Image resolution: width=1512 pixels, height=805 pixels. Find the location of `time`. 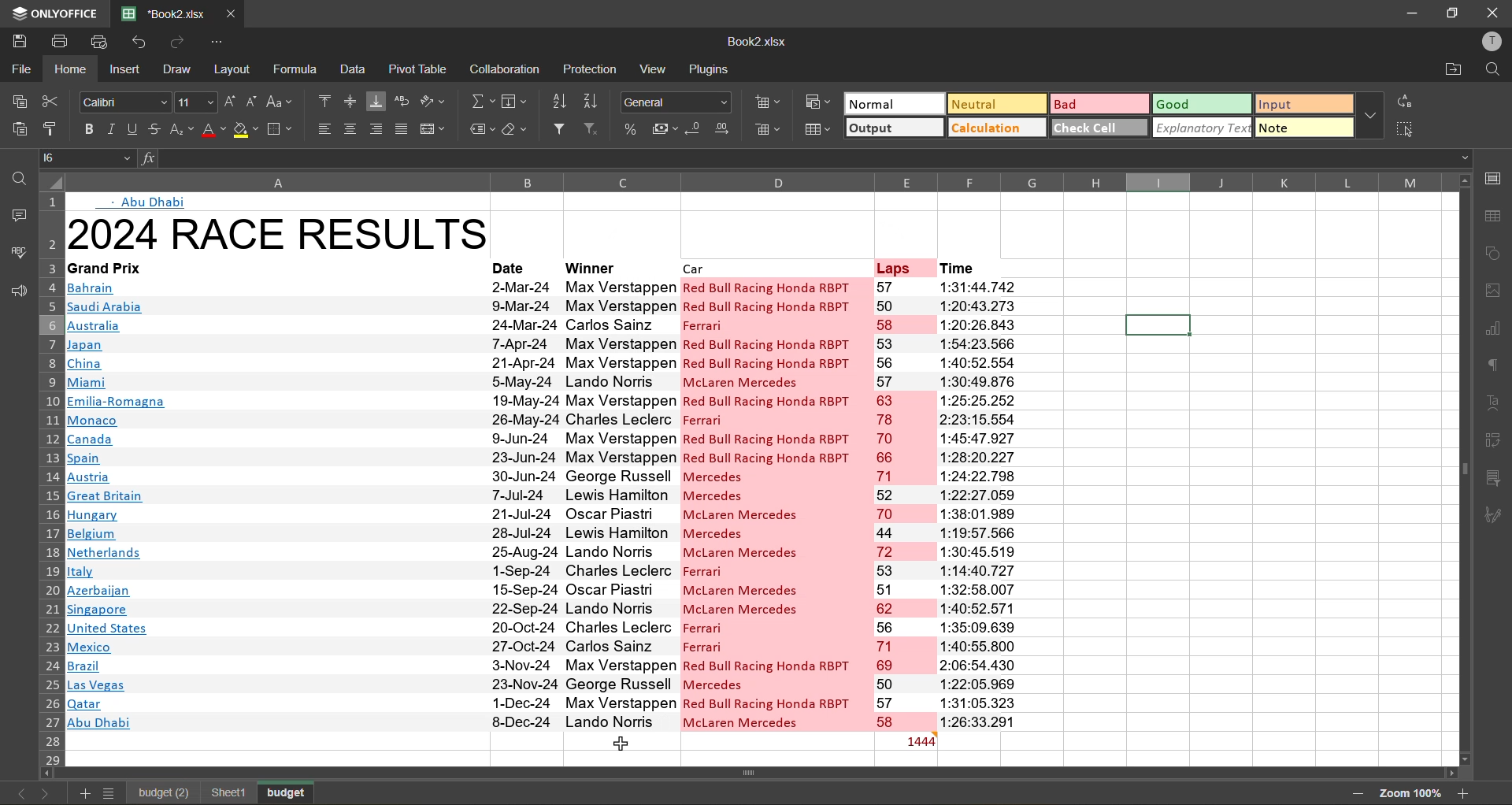

time is located at coordinates (980, 504).